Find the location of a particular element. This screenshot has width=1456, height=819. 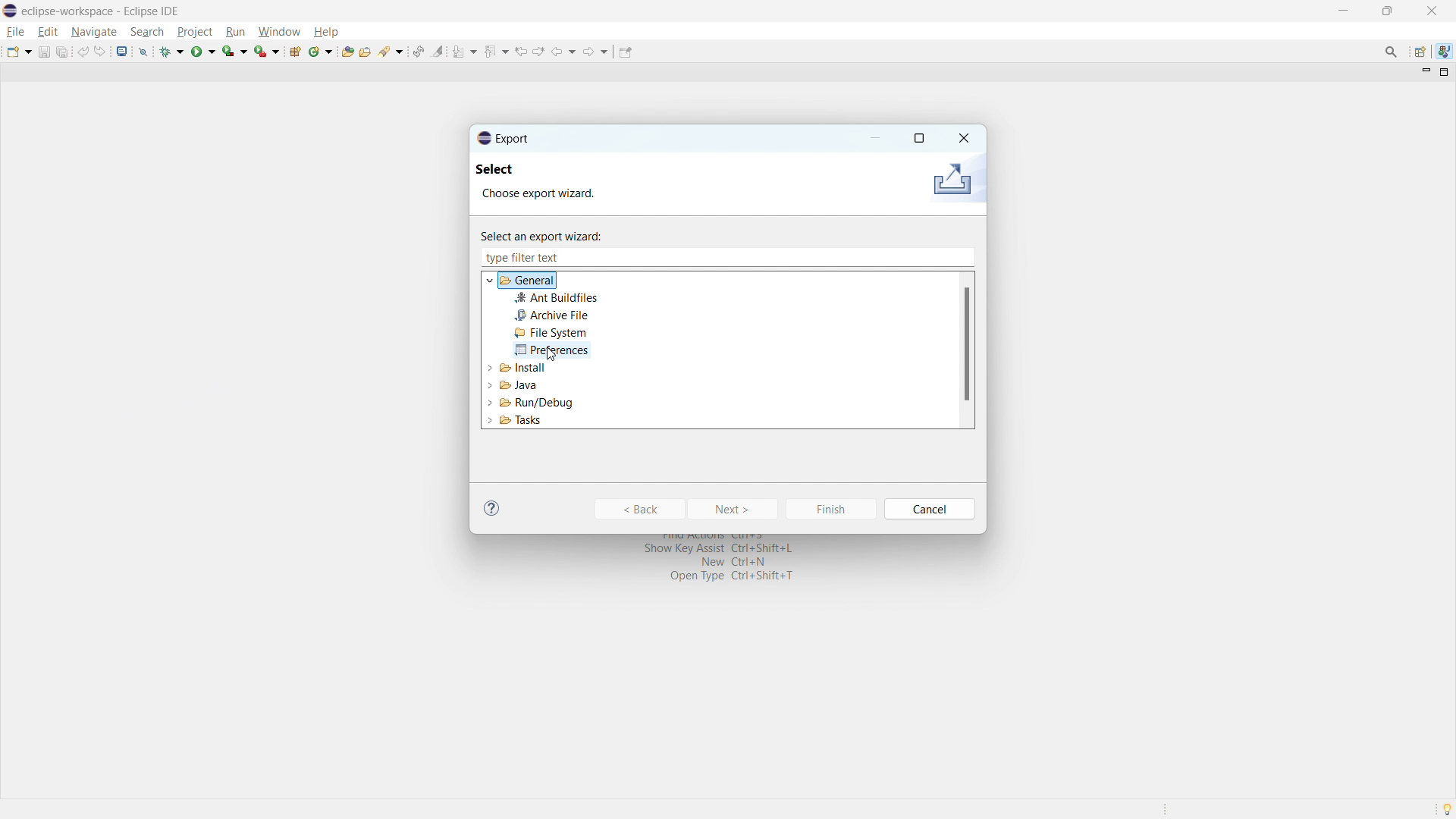

edit is located at coordinates (48, 32).